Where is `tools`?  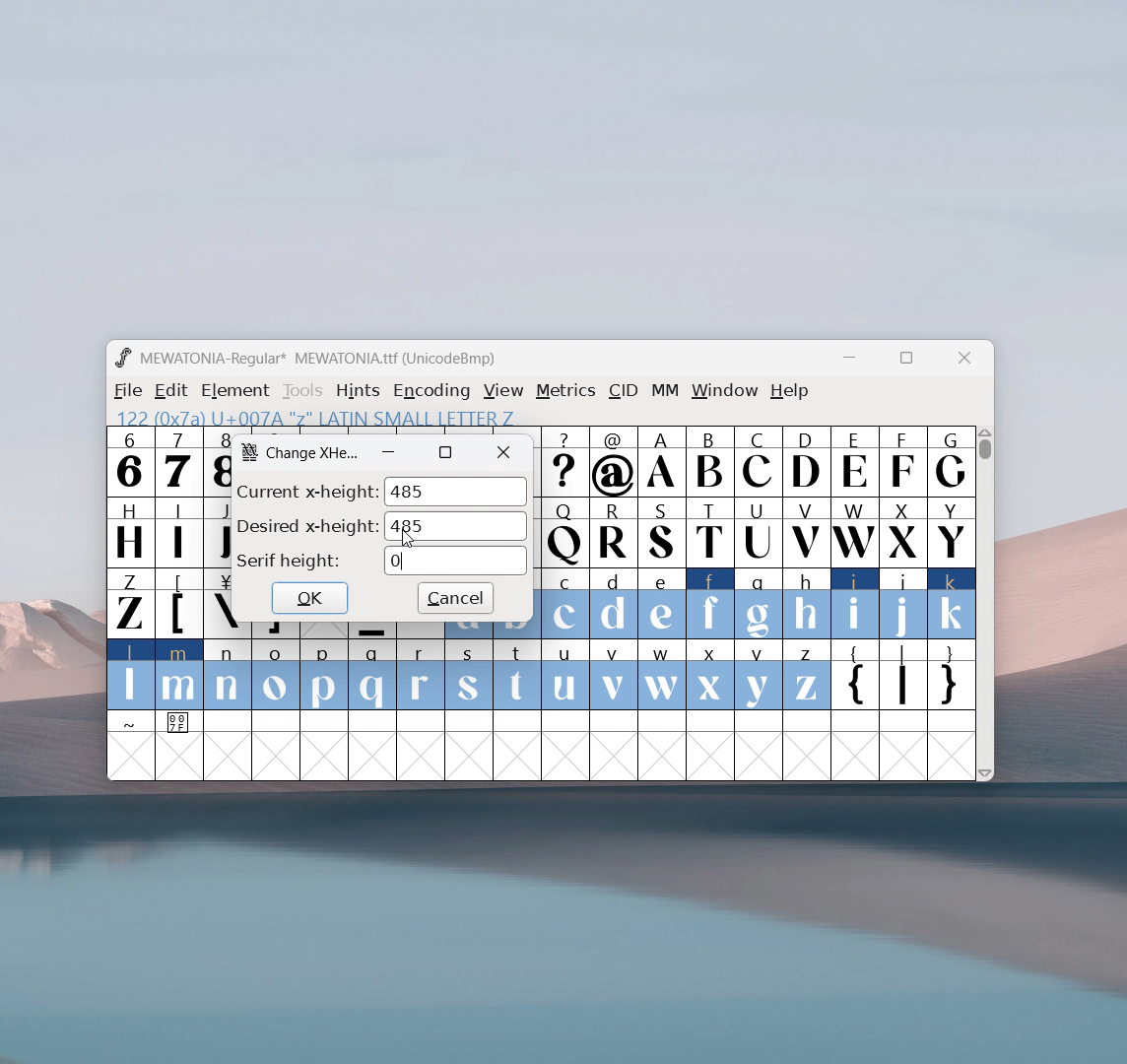
tools is located at coordinates (303, 391).